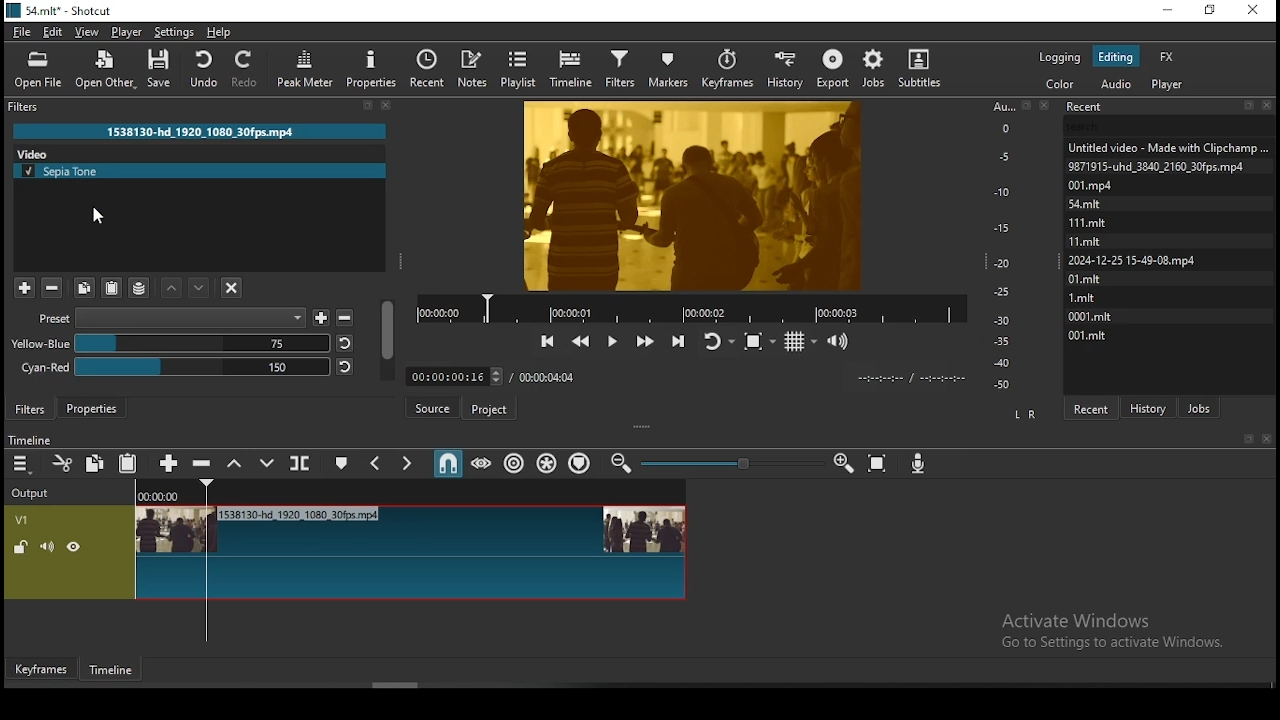 The height and width of the screenshot is (720, 1280). What do you see at coordinates (176, 30) in the screenshot?
I see `settings` at bounding box center [176, 30].